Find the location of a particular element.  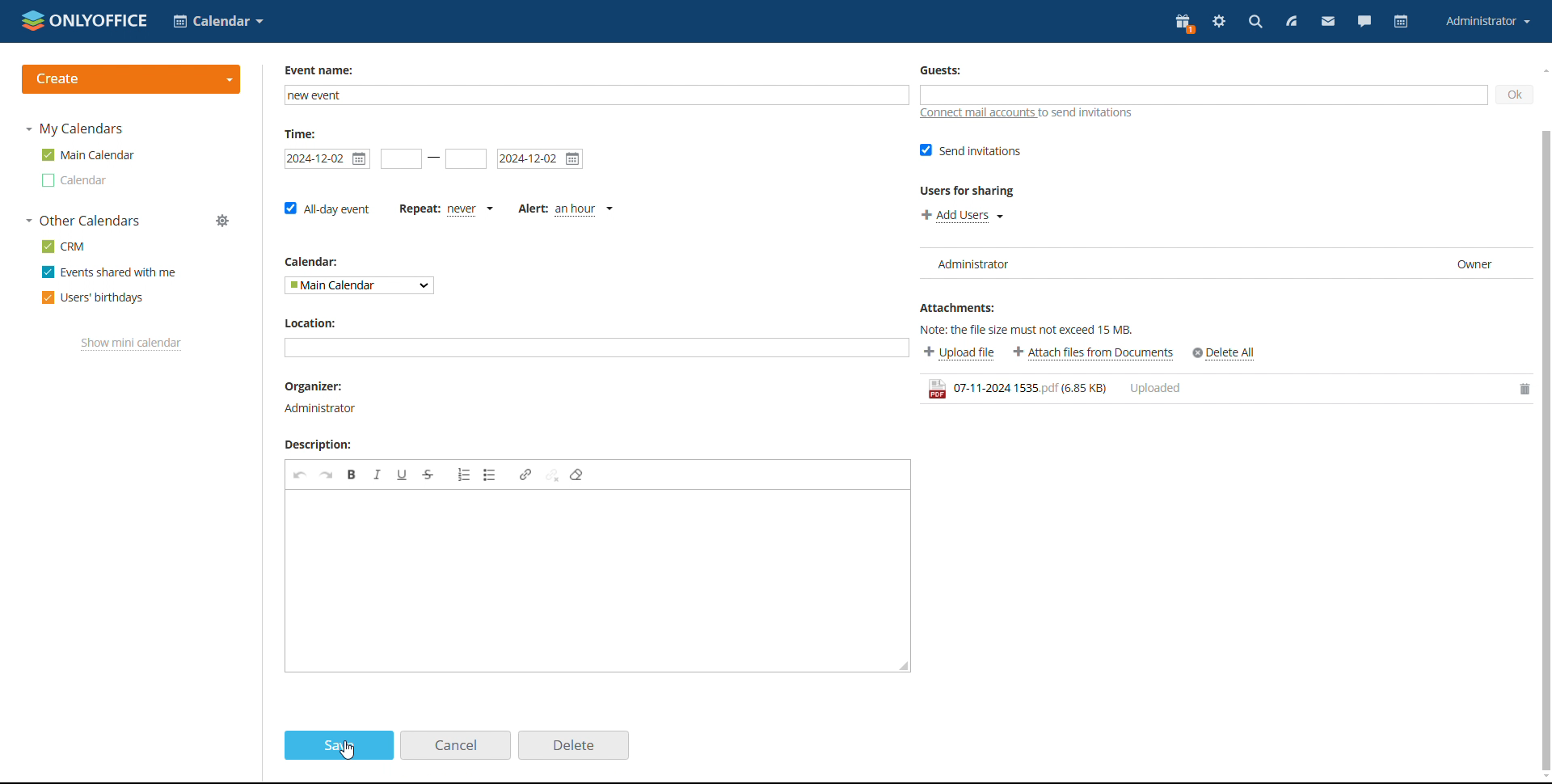

feed is located at coordinates (1292, 23).